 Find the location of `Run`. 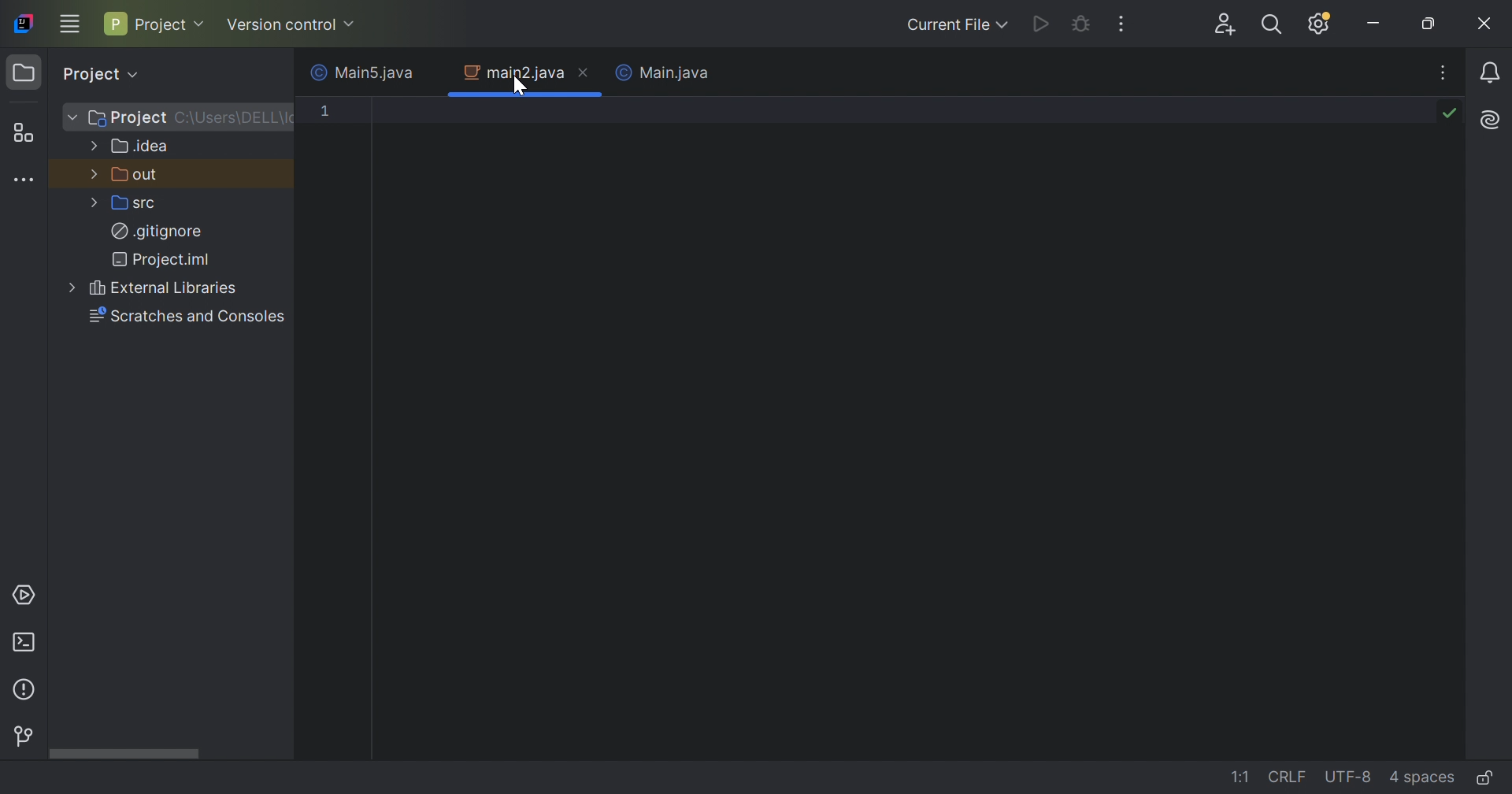

Run is located at coordinates (1042, 21).